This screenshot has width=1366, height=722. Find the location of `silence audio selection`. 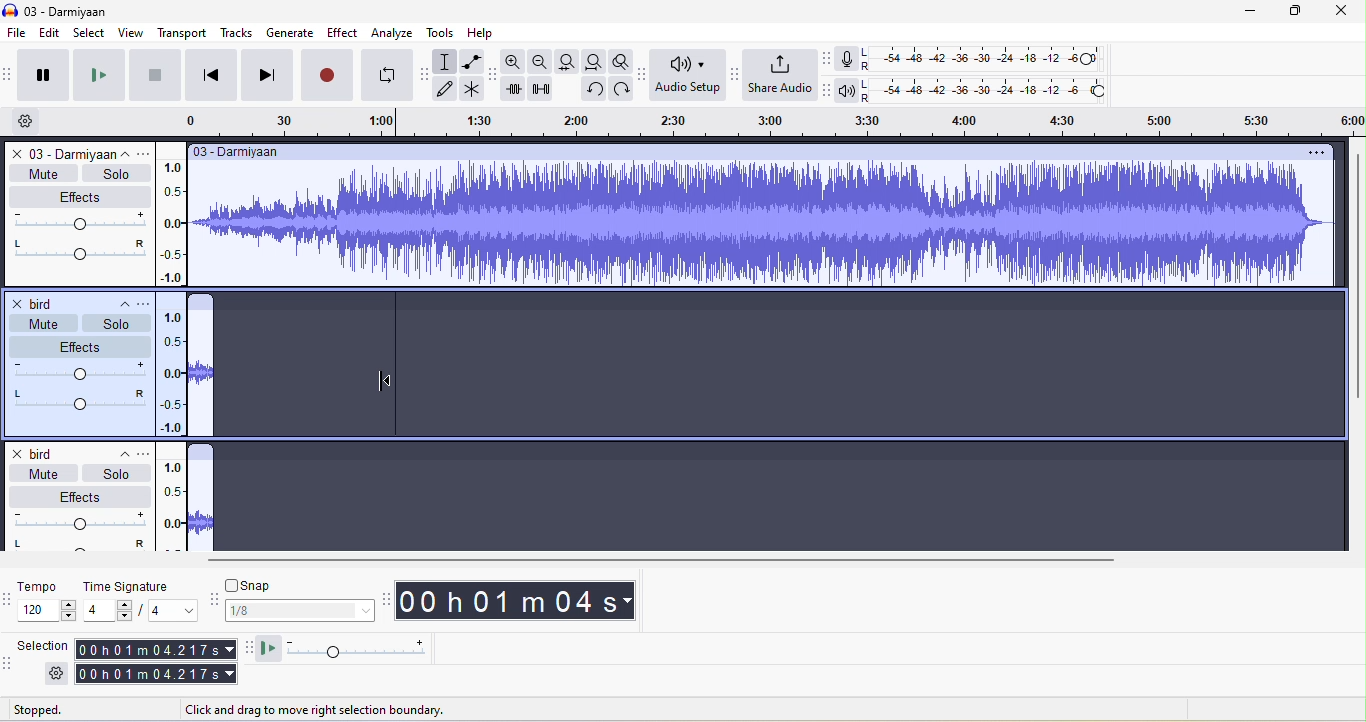

silence audio selection is located at coordinates (544, 89).